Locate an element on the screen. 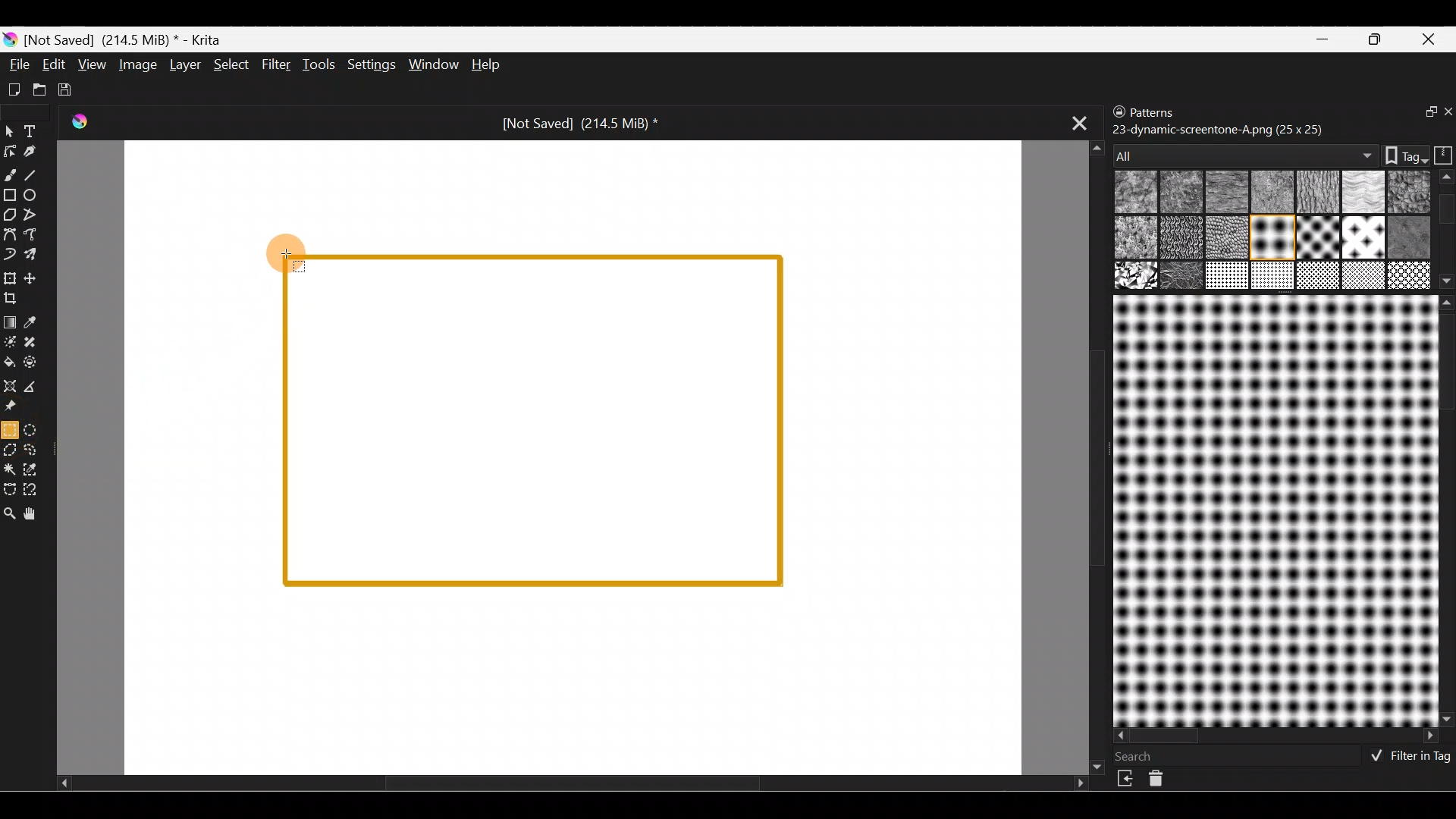 The width and height of the screenshot is (1456, 819). Polyline tool is located at coordinates (32, 215).